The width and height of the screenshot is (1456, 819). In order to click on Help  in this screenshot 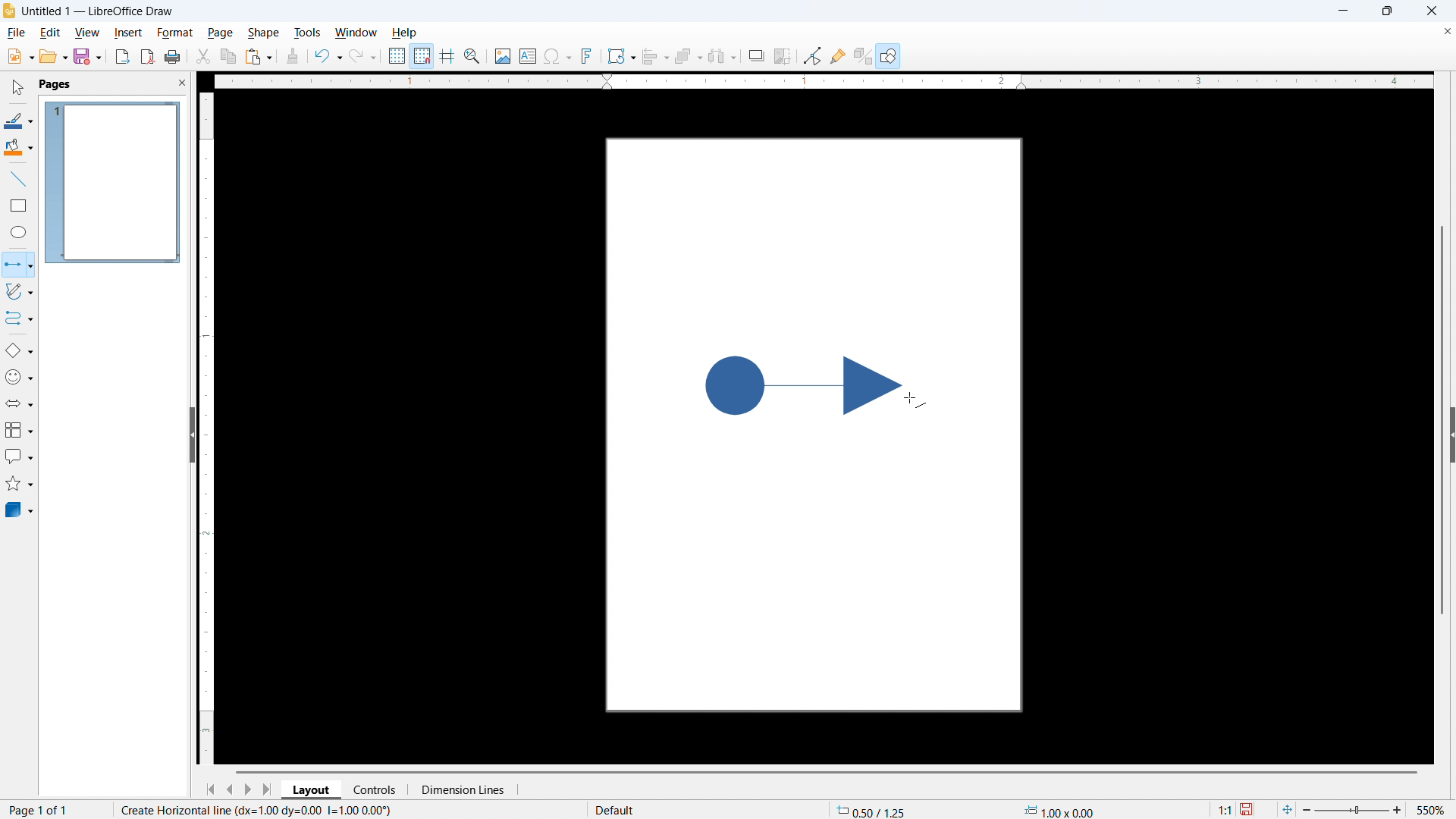, I will do `click(889, 55)`.